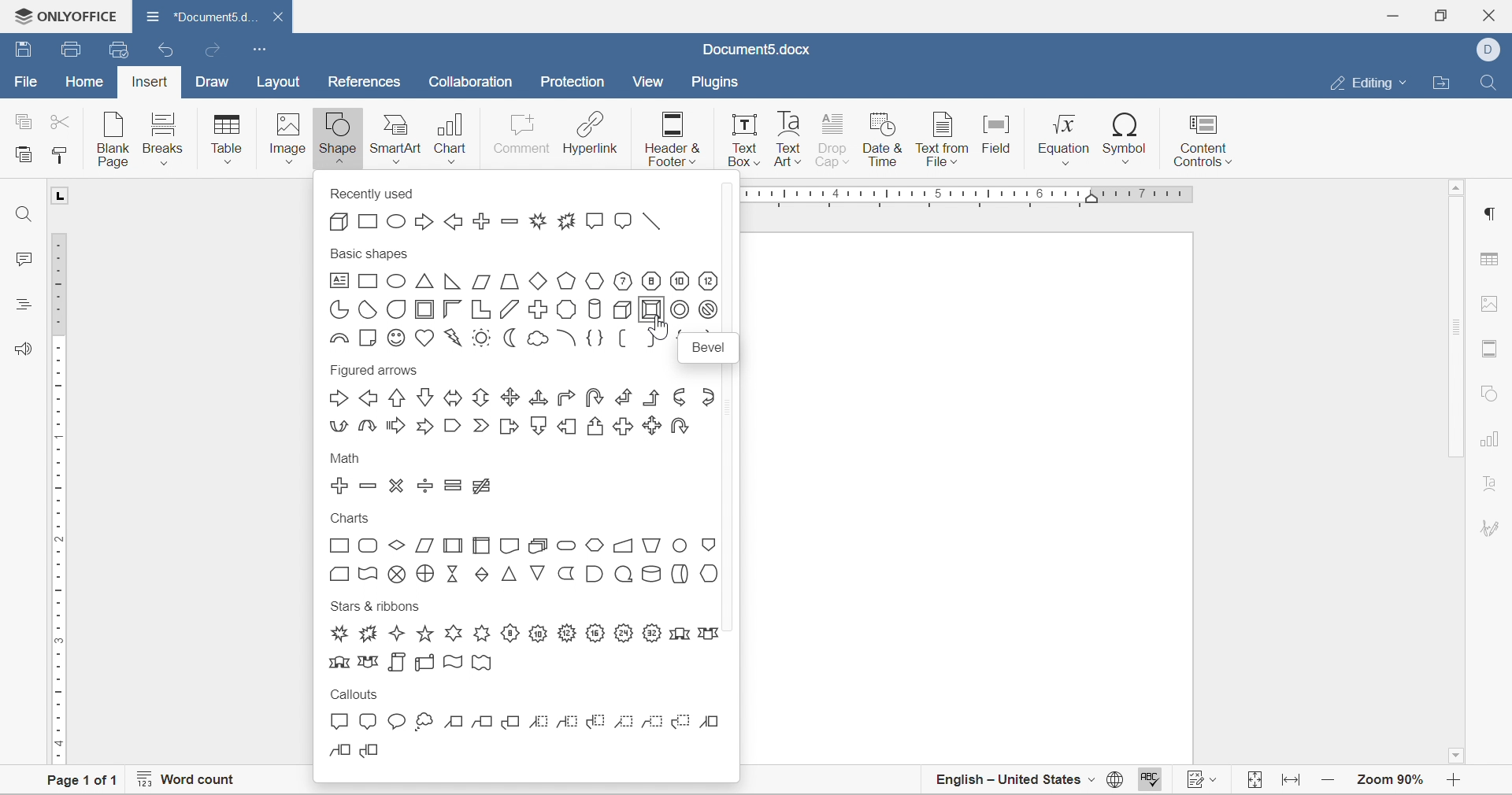  Describe the element at coordinates (1458, 326) in the screenshot. I see `scroll bar` at that location.